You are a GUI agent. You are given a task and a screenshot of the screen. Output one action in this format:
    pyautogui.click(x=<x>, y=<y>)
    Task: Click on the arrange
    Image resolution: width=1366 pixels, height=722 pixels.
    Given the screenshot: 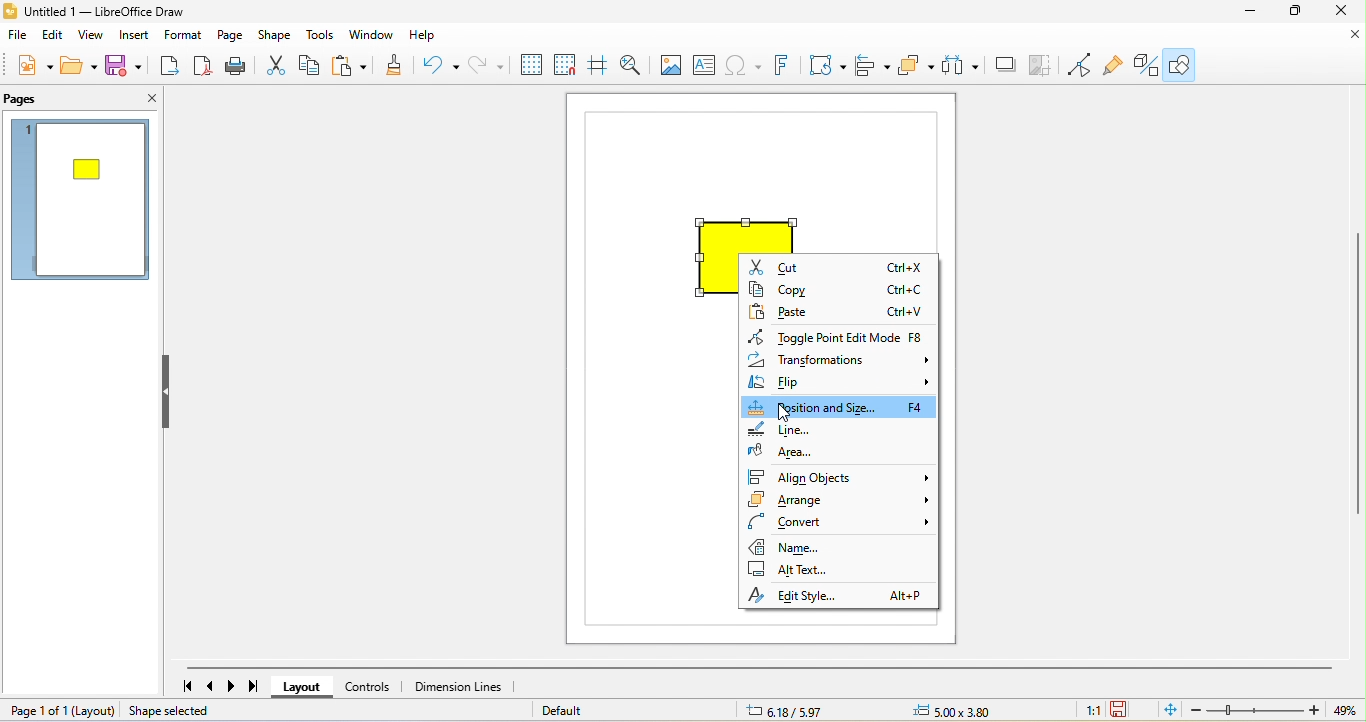 What is the action you would take?
    pyautogui.click(x=920, y=66)
    